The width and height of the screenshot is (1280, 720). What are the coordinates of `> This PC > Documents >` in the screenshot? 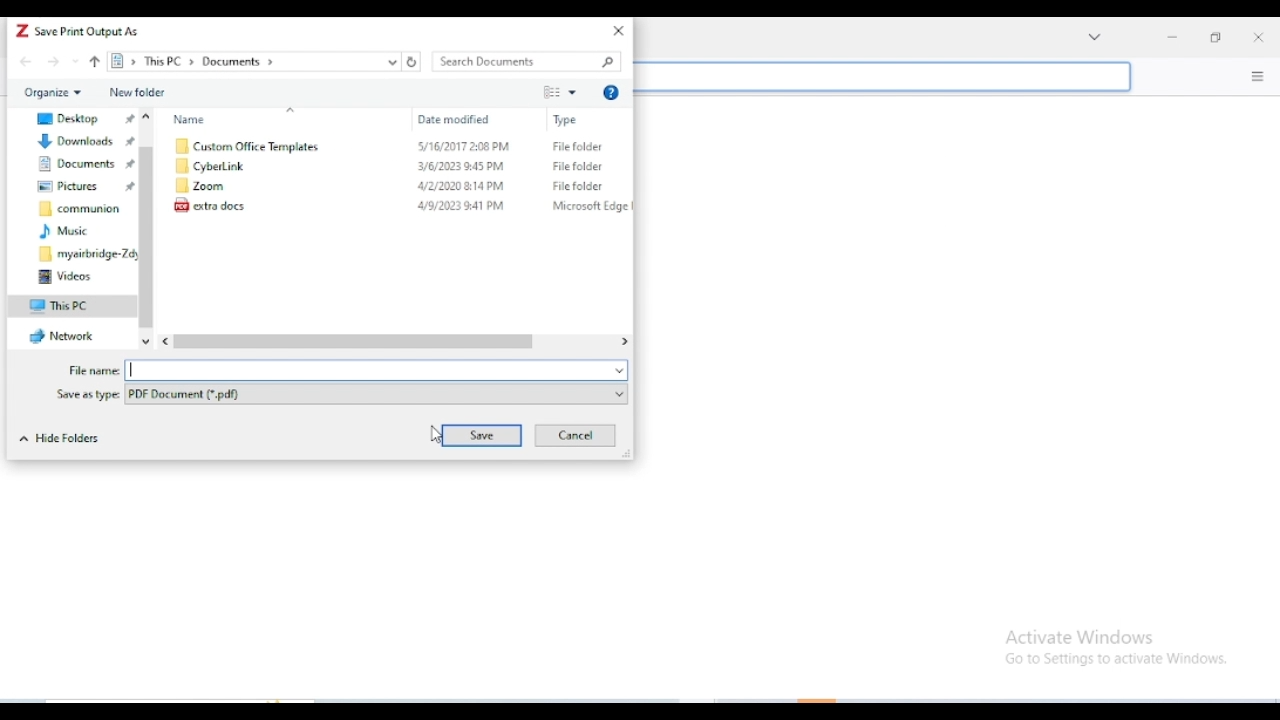 It's located at (251, 62).